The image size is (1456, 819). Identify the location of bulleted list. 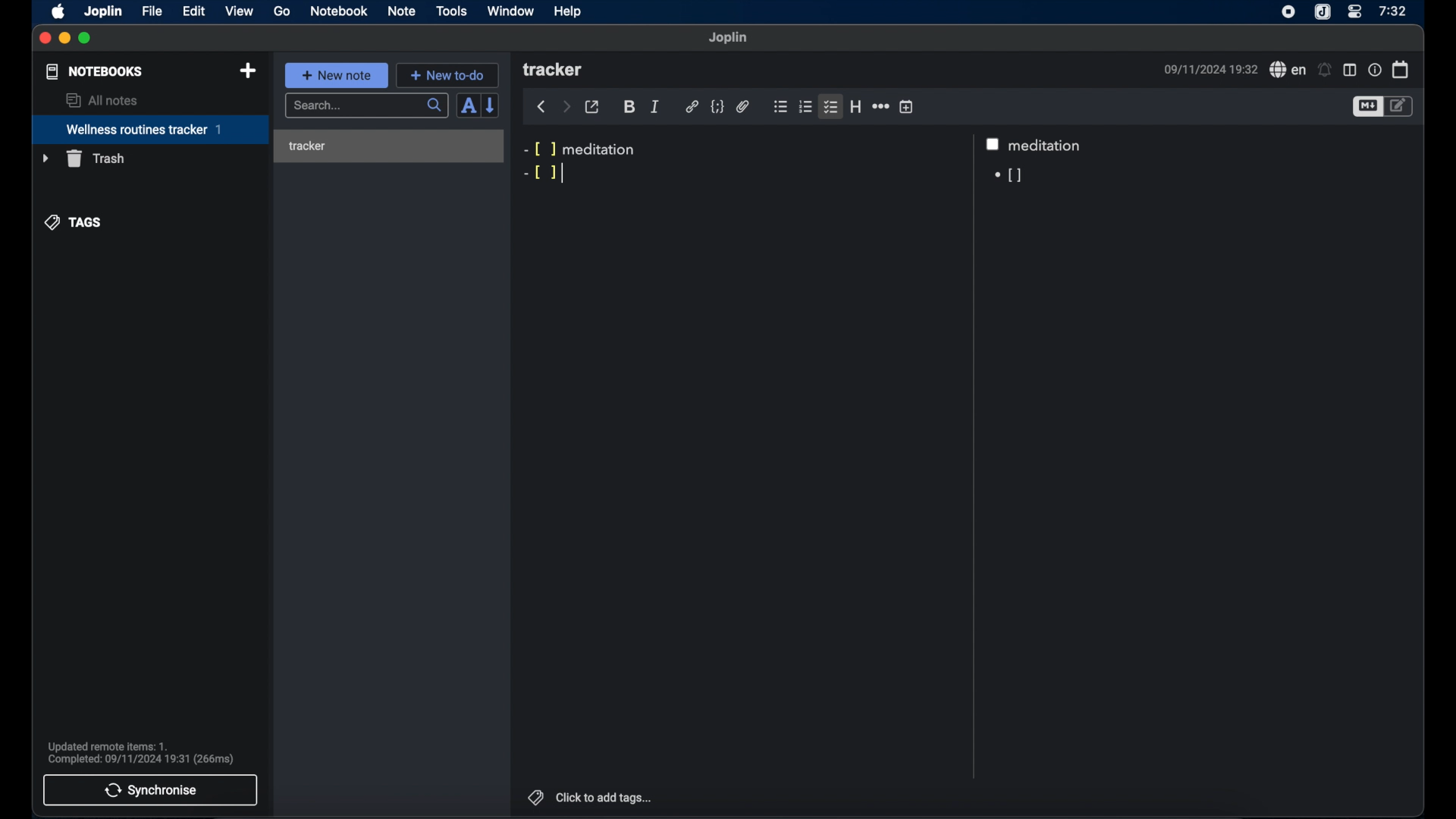
(780, 107).